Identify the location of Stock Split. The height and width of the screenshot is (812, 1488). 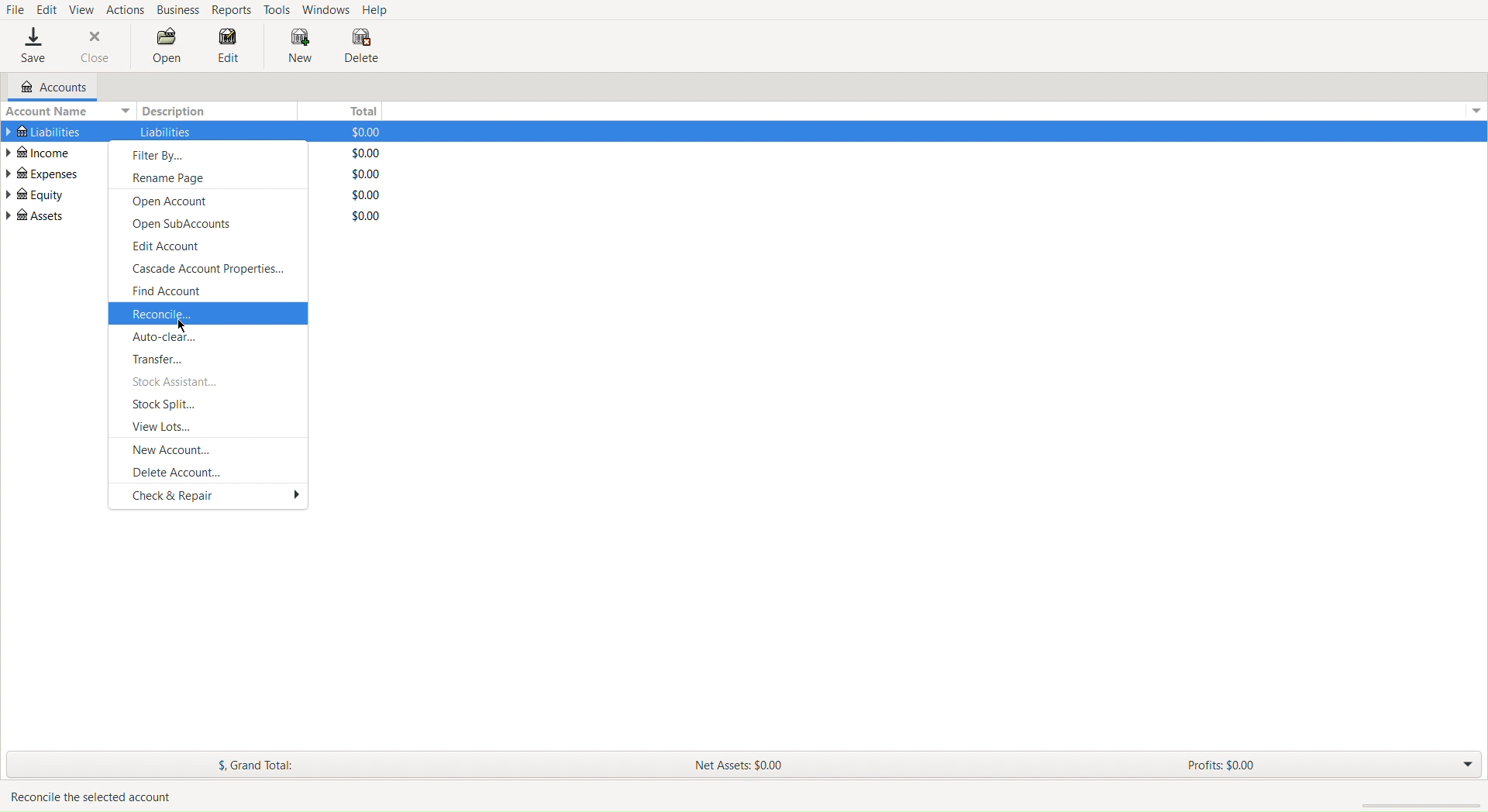
(208, 407).